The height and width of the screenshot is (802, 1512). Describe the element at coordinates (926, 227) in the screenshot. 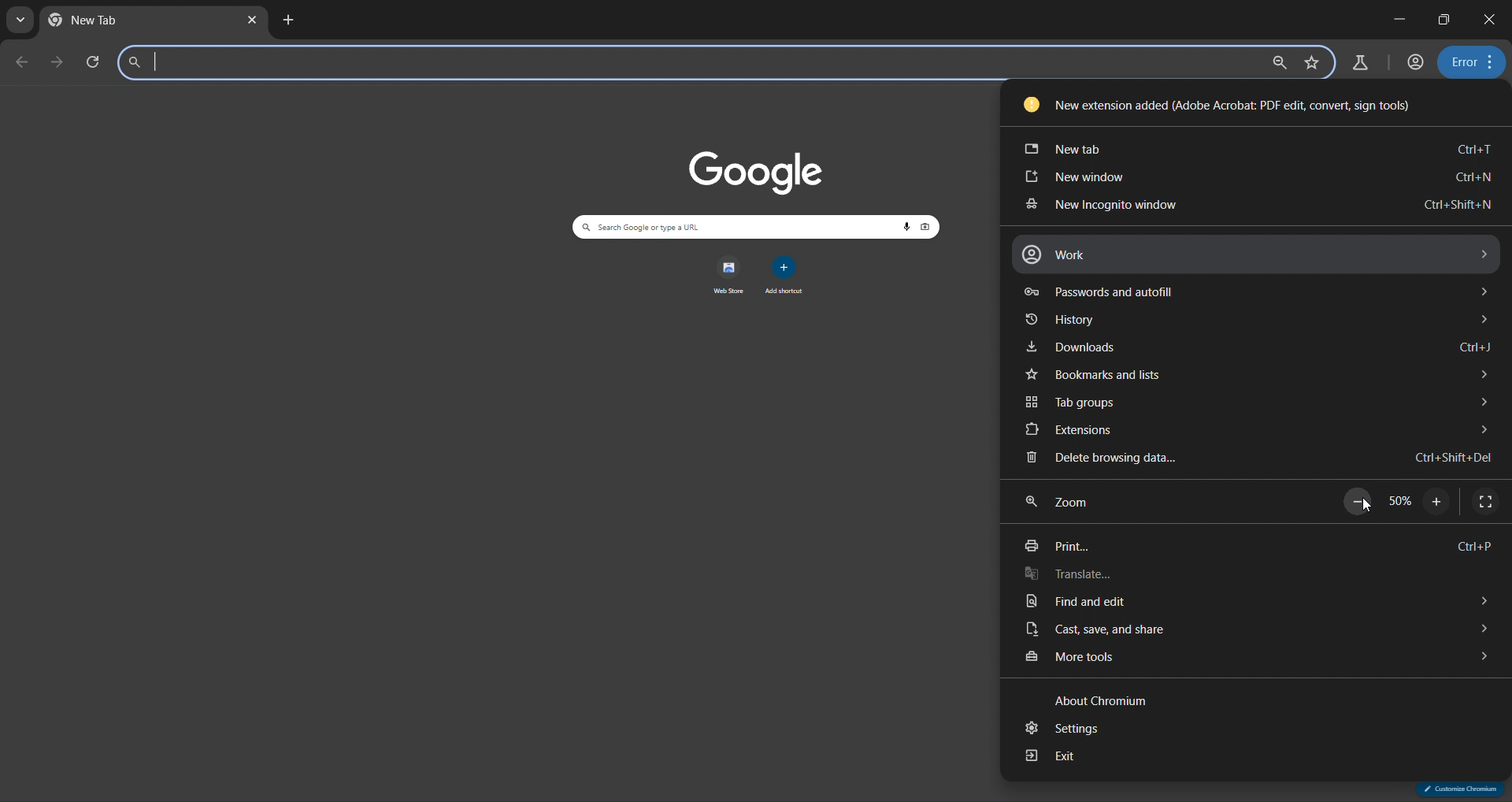

I see `image search` at that location.